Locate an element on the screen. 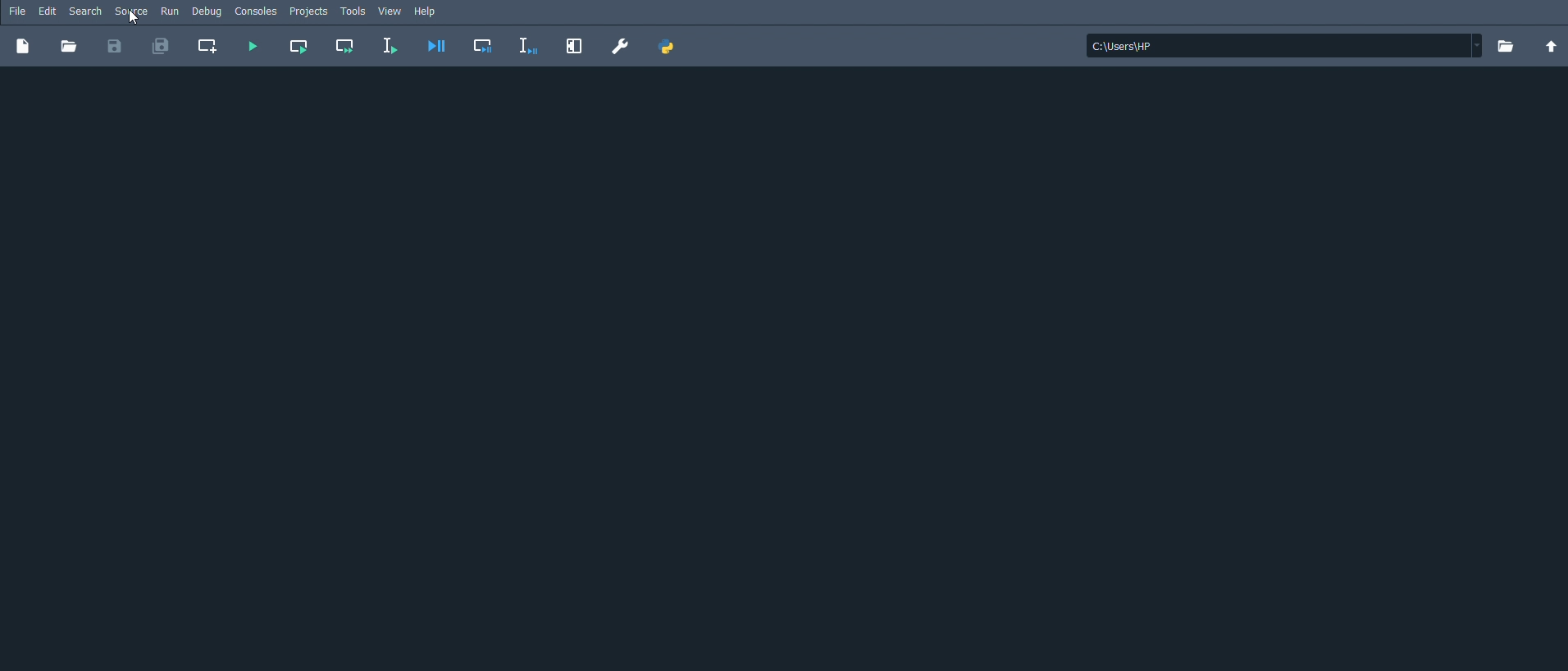 The image size is (1568, 671). Save all files is located at coordinates (162, 47).